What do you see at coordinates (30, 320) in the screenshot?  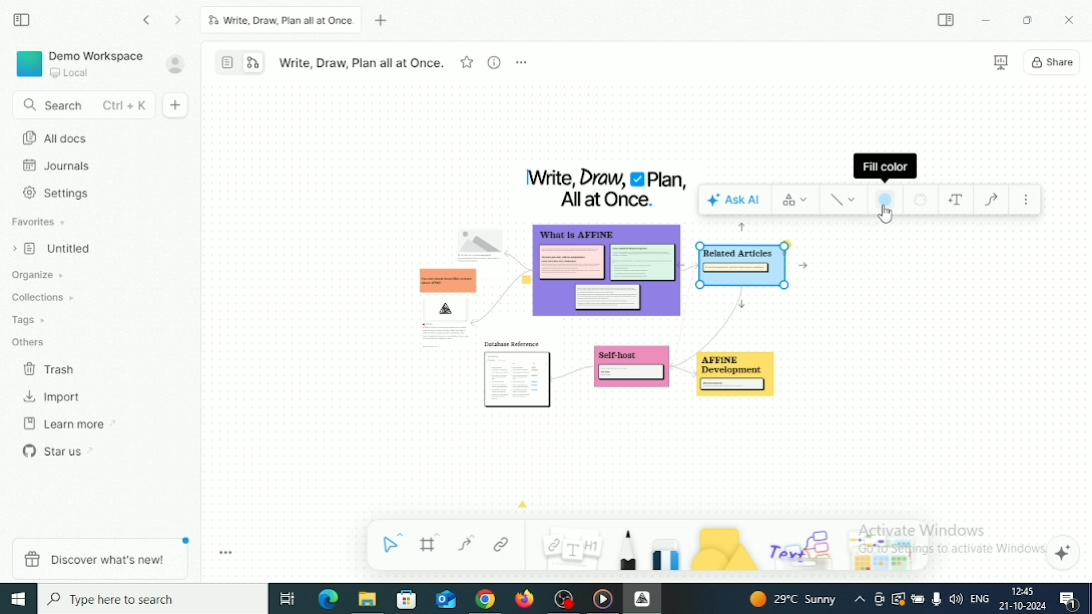 I see `Tags` at bounding box center [30, 320].